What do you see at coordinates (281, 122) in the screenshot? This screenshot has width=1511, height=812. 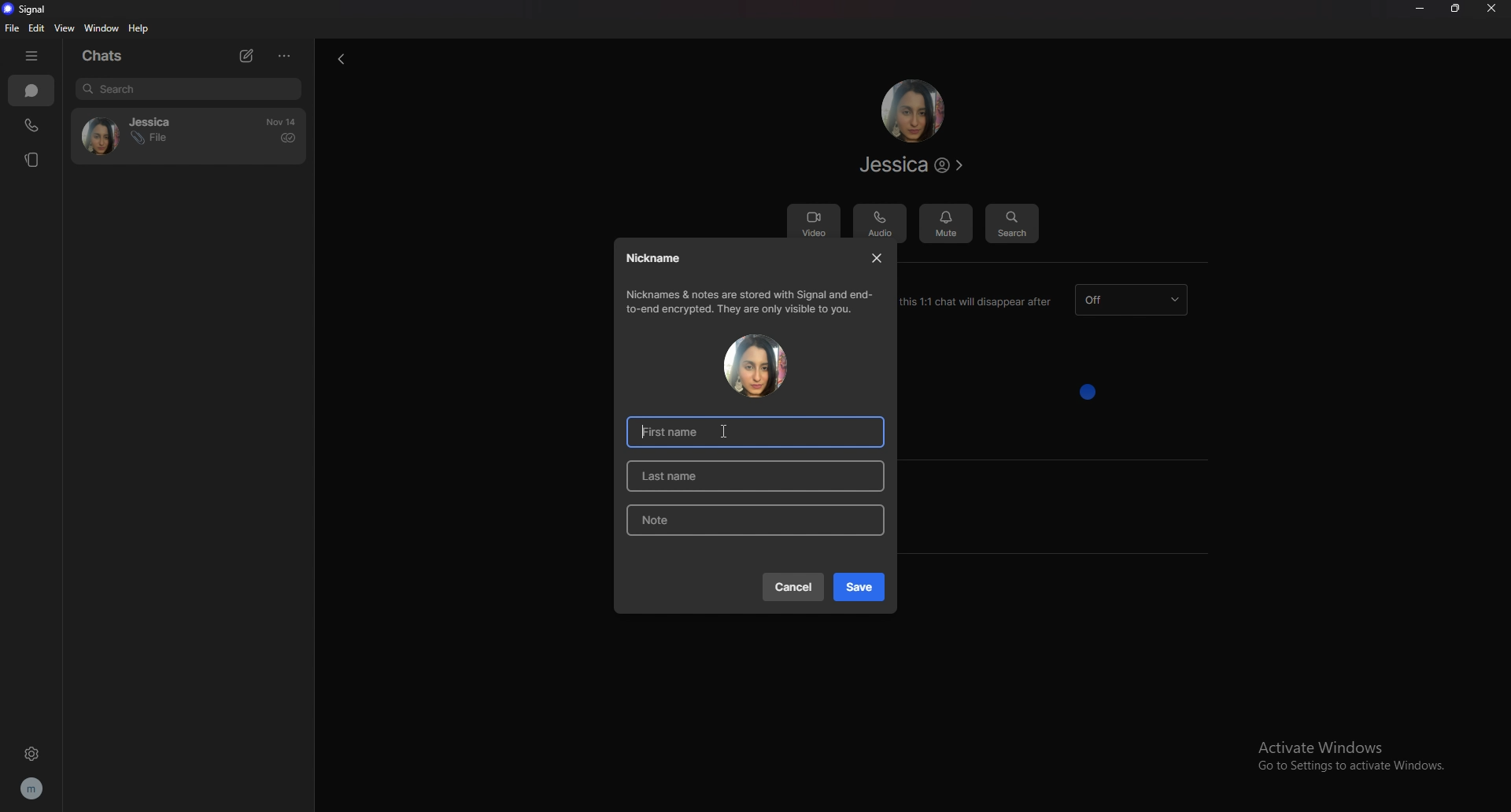 I see `time` at bounding box center [281, 122].